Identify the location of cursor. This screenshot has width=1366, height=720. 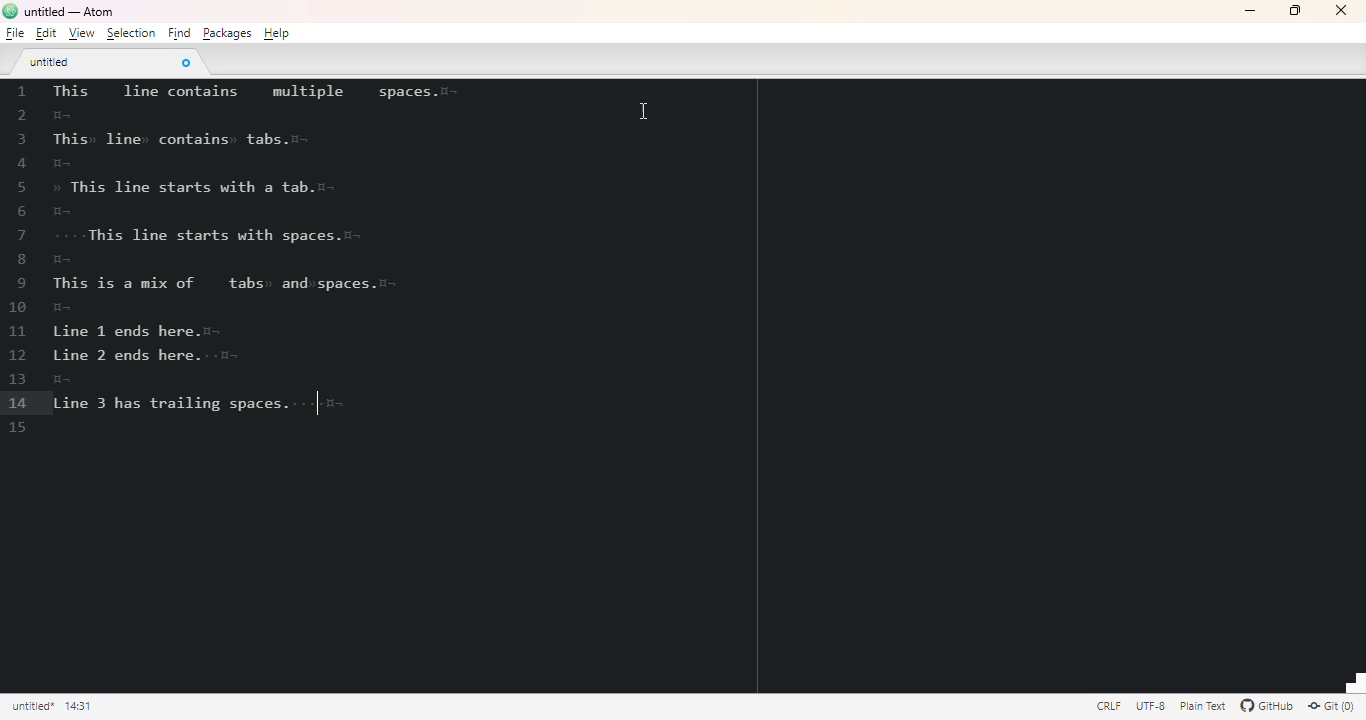
(645, 112).